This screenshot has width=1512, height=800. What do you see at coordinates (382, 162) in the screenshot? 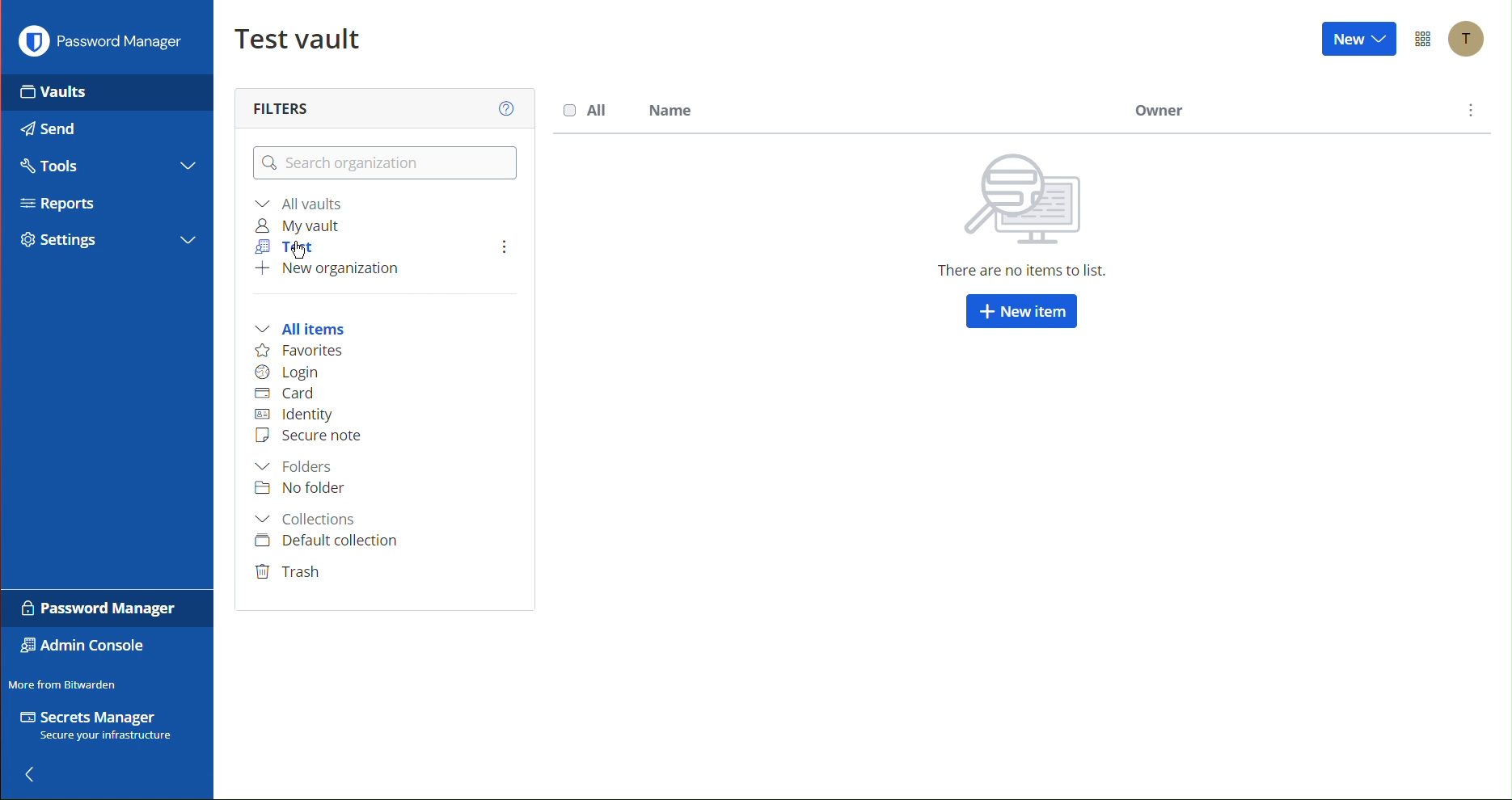
I see `Search Bar` at bounding box center [382, 162].